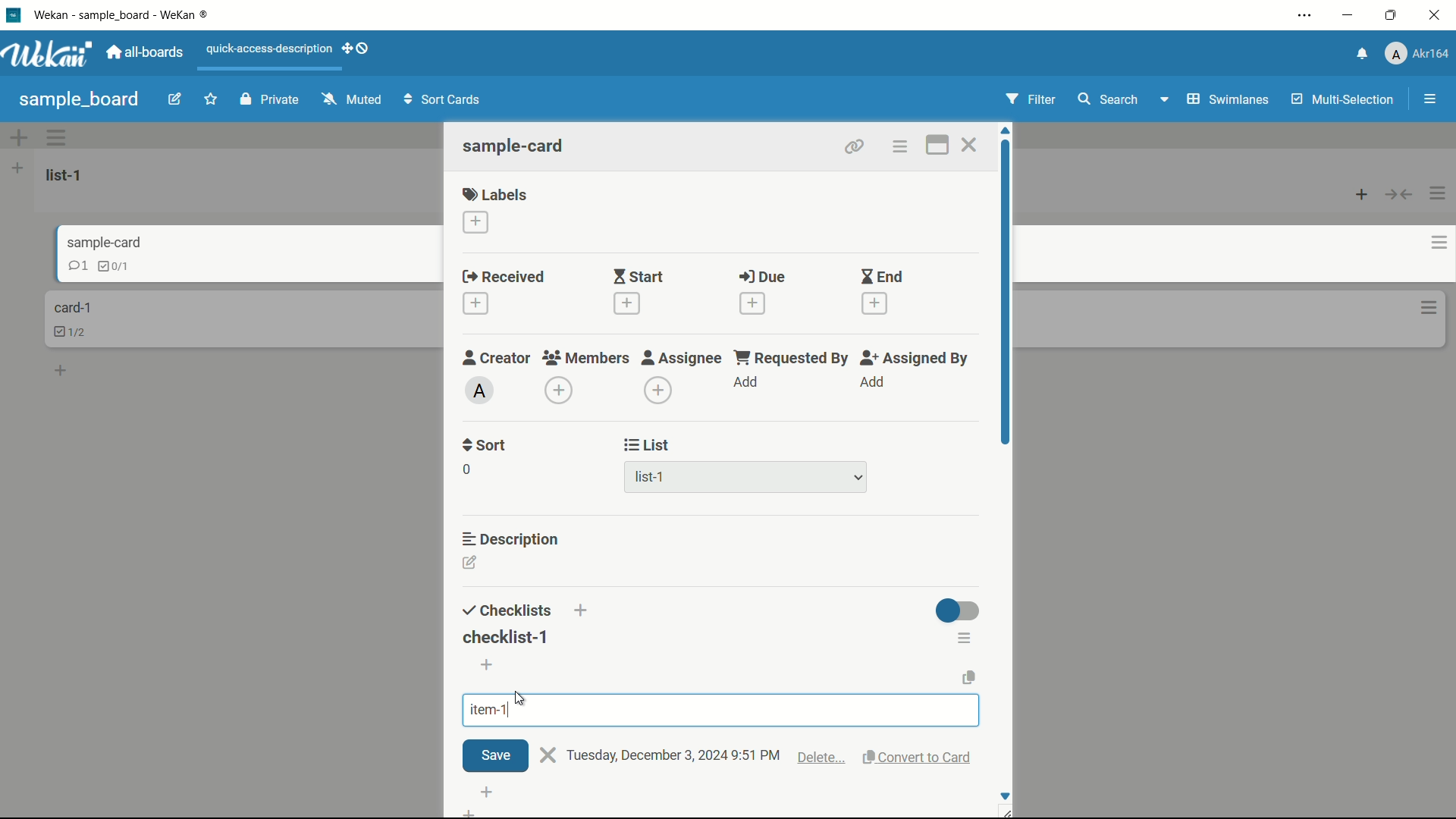  Describe the element at coordinates (490, 710) in the screenshot. I see `item-1` at that location.